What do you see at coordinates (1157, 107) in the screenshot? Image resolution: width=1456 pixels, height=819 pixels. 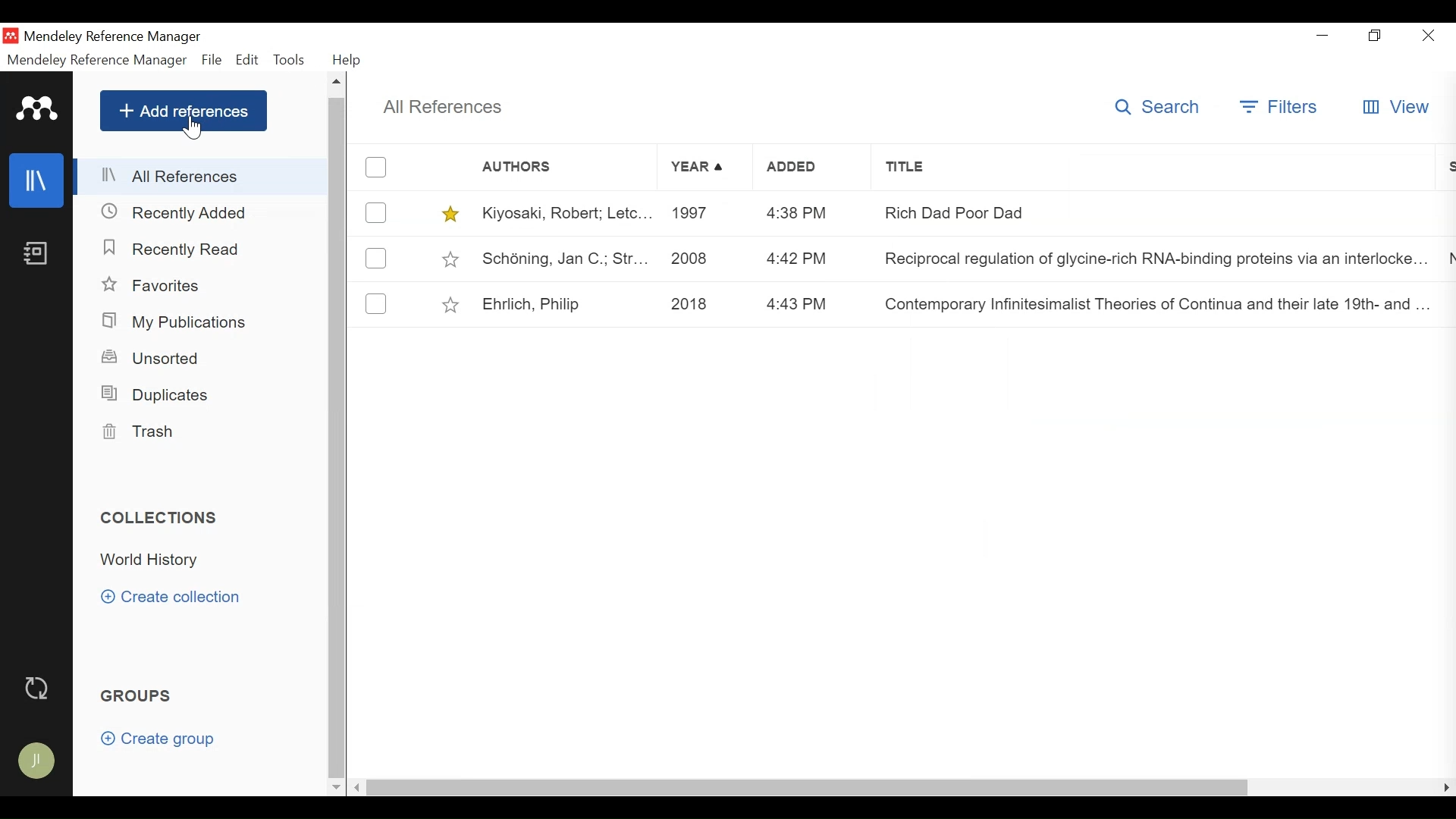 I see `Search` at bounding box center [1157, 107].